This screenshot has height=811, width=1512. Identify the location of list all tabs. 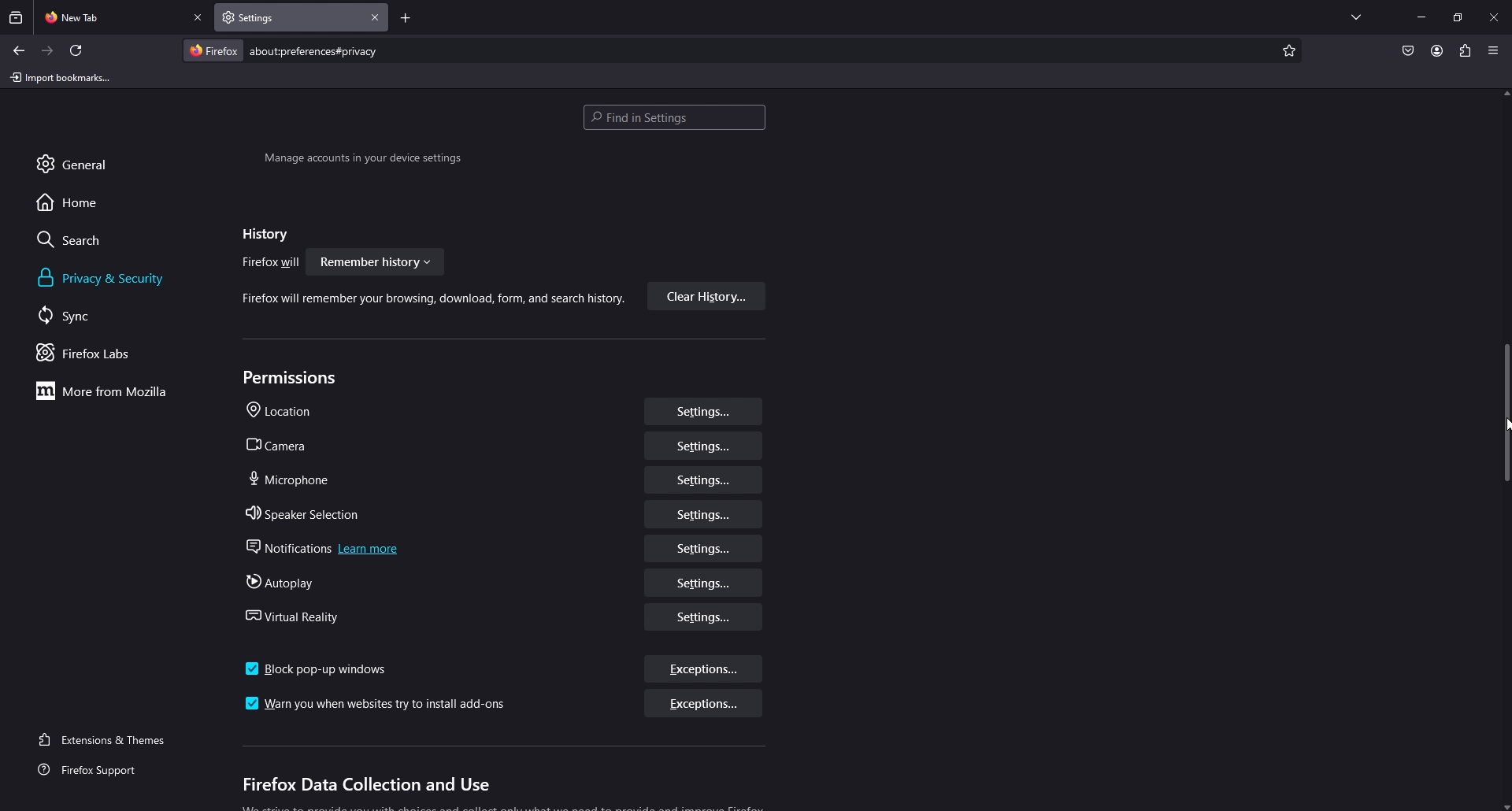
(1356, 14).